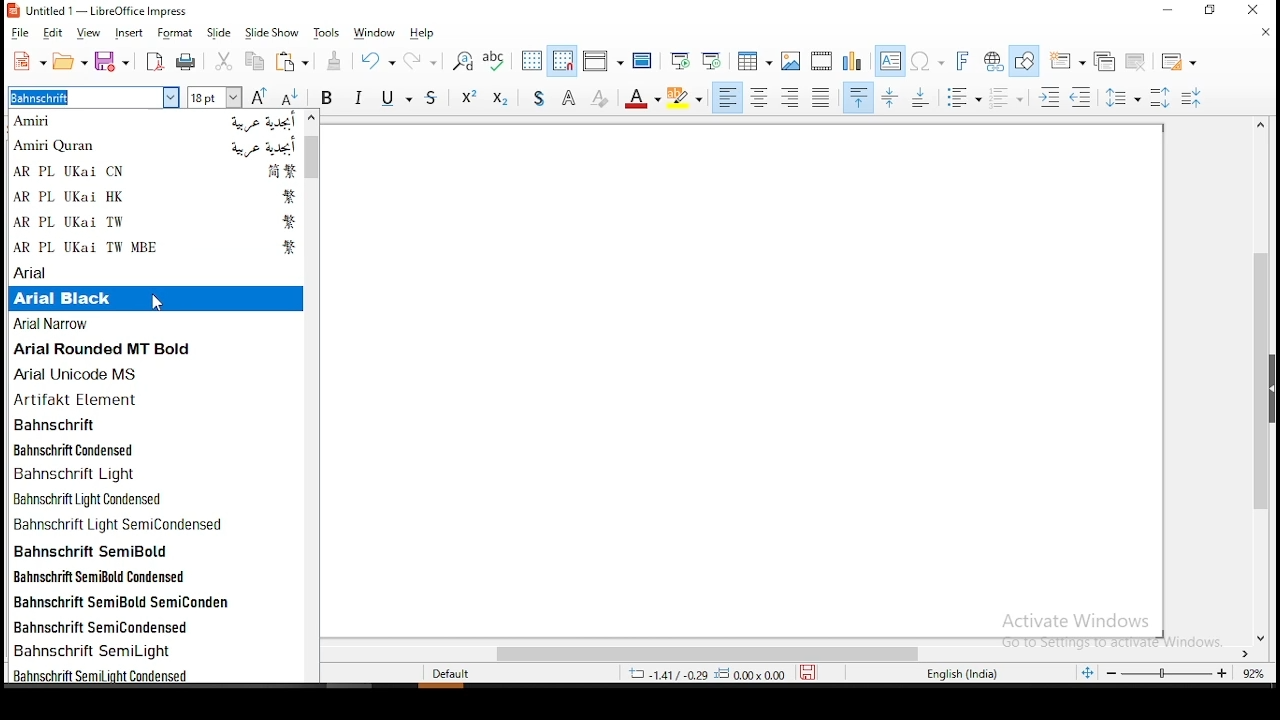  Describe the element at coordinates (93, 97) in the screenshot. I see `font` at that location.